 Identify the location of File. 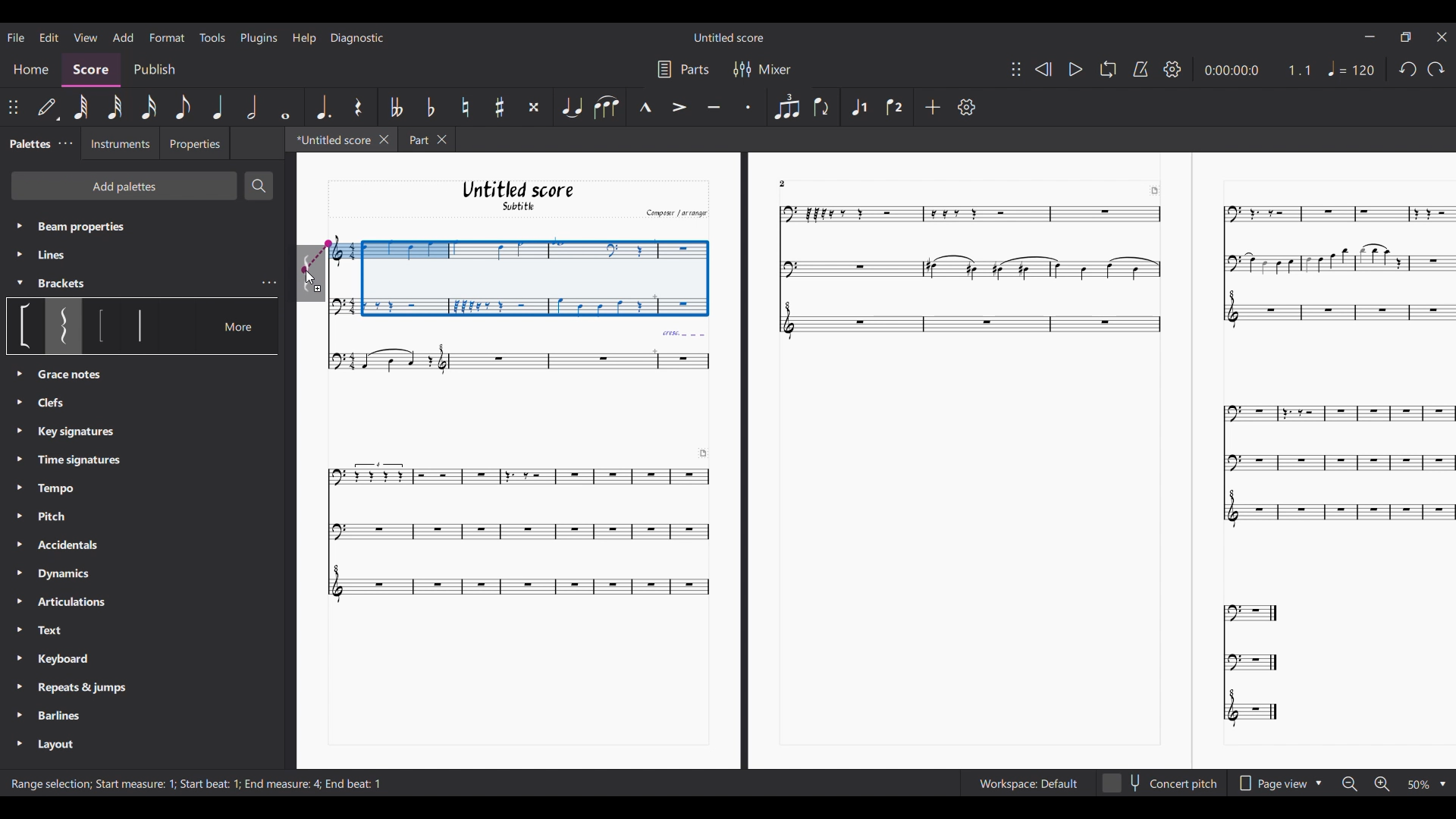
(16, 36).